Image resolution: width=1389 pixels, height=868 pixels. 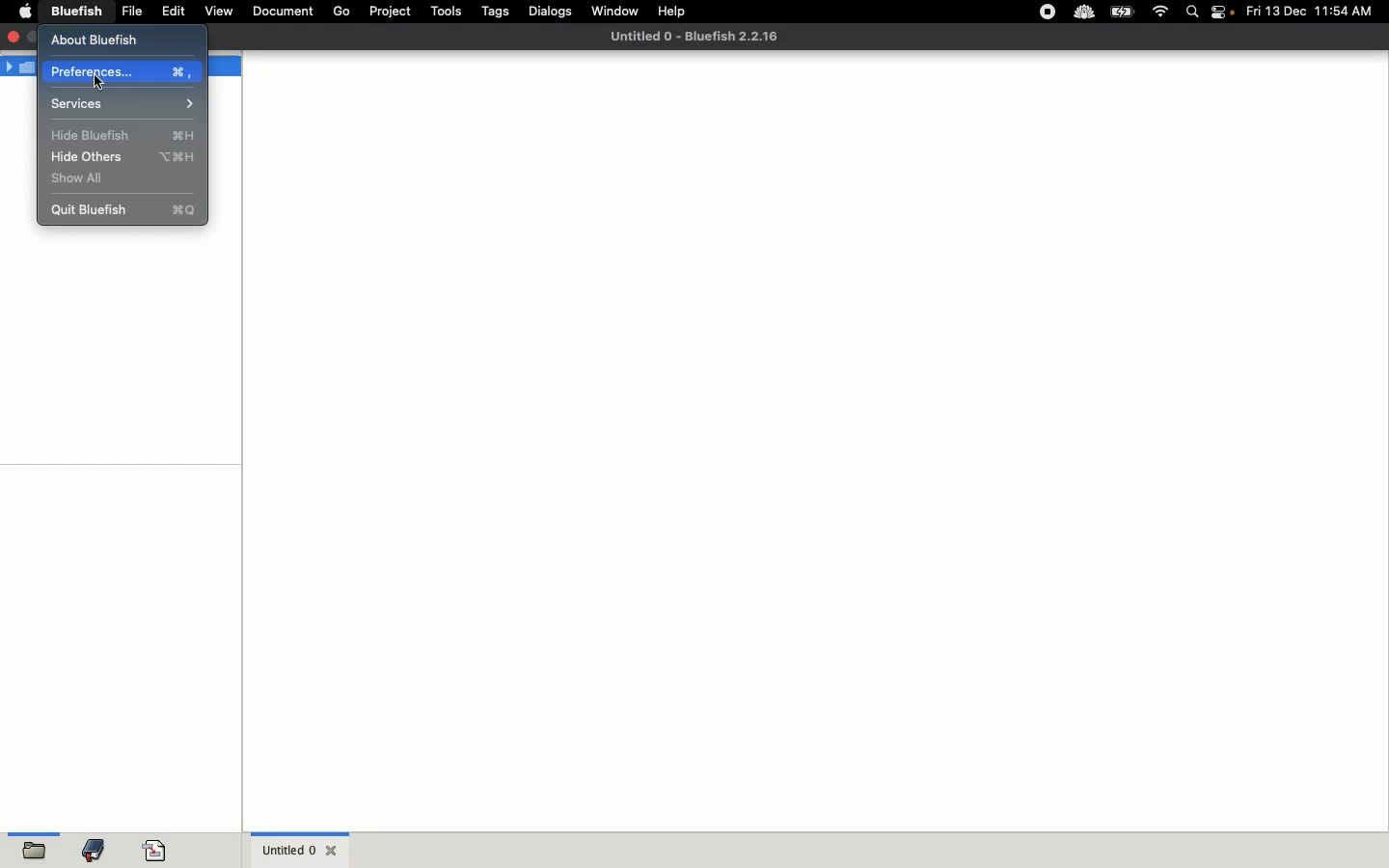 What do you see at coordinates (30, 851) in the screenshot?
I see `Save` at bounding box center [30, 851].